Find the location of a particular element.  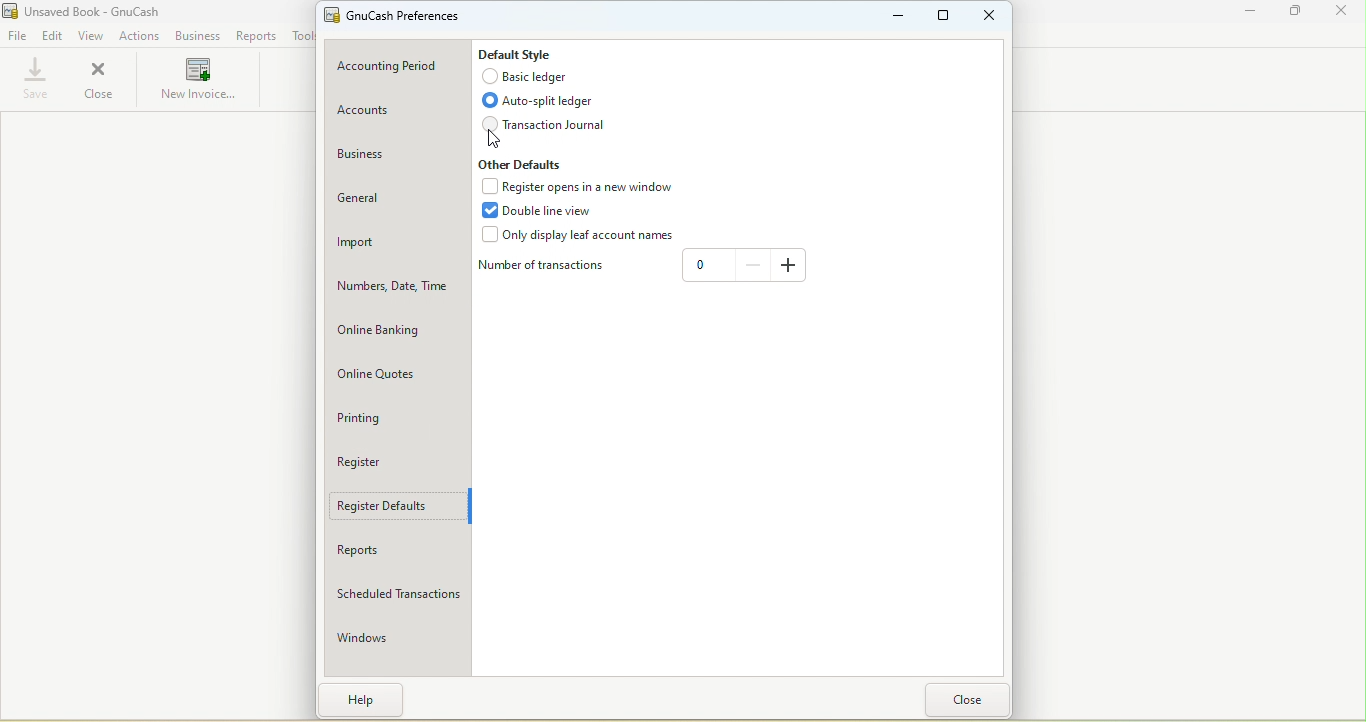

New invoices is located at coordinates (194, 82).